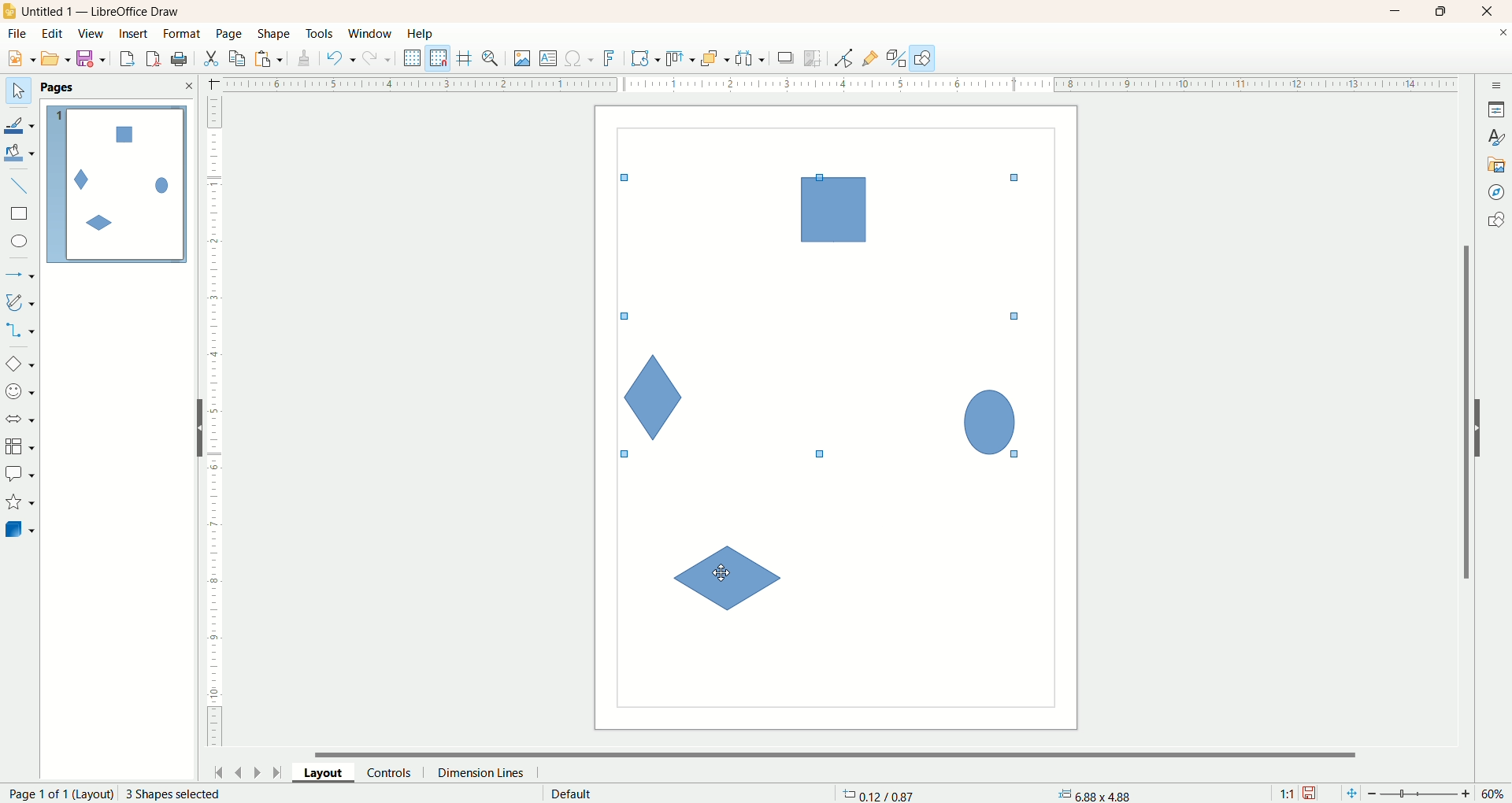  Describe the element at coordinates (57, 794) in the screenshot. I see `page number` at that location.